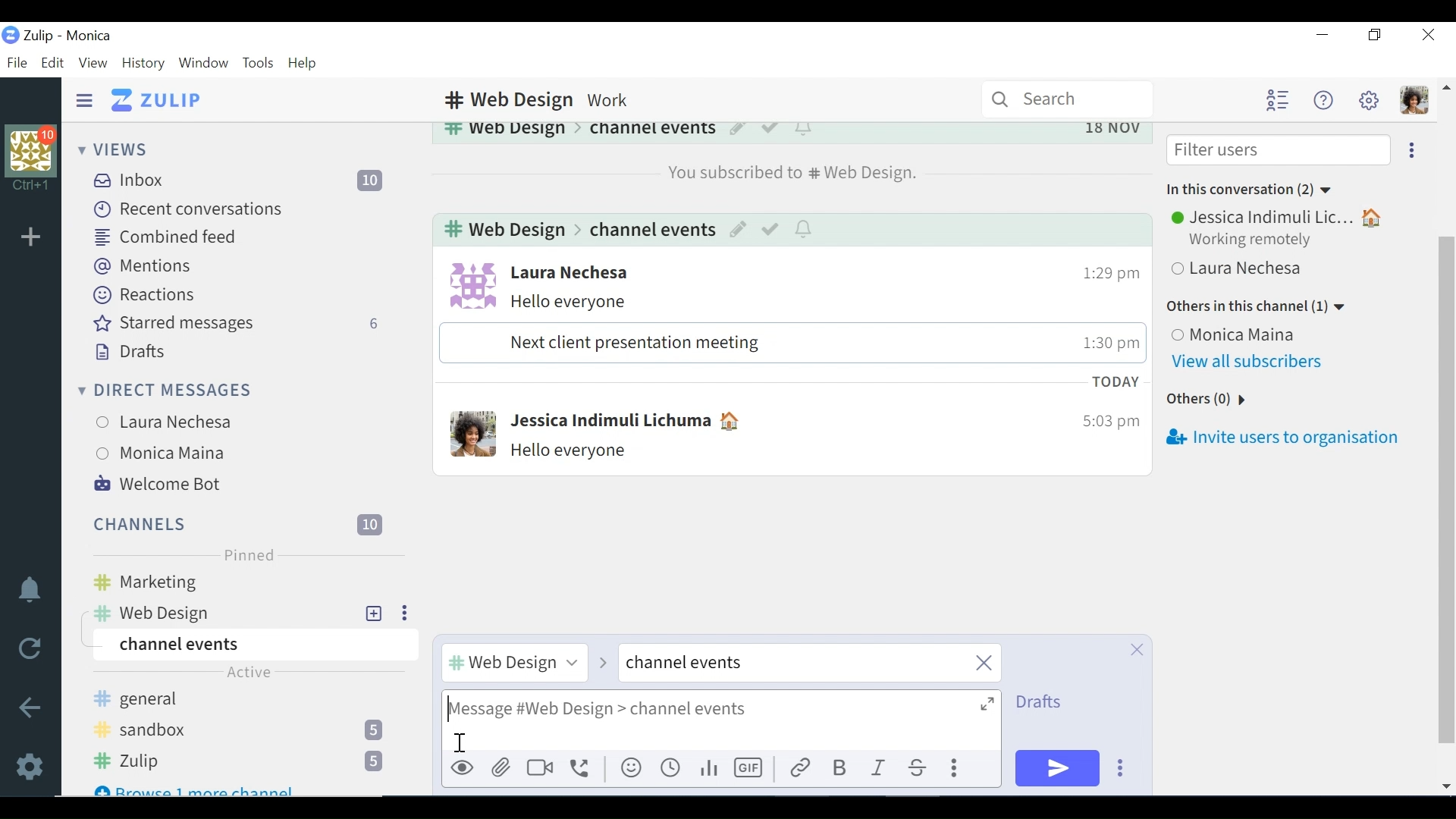 The height and width of the screenshot is (819, 1456). Describe the element at coordinates (827, 457) in the screenshot. I see `message` at that location.